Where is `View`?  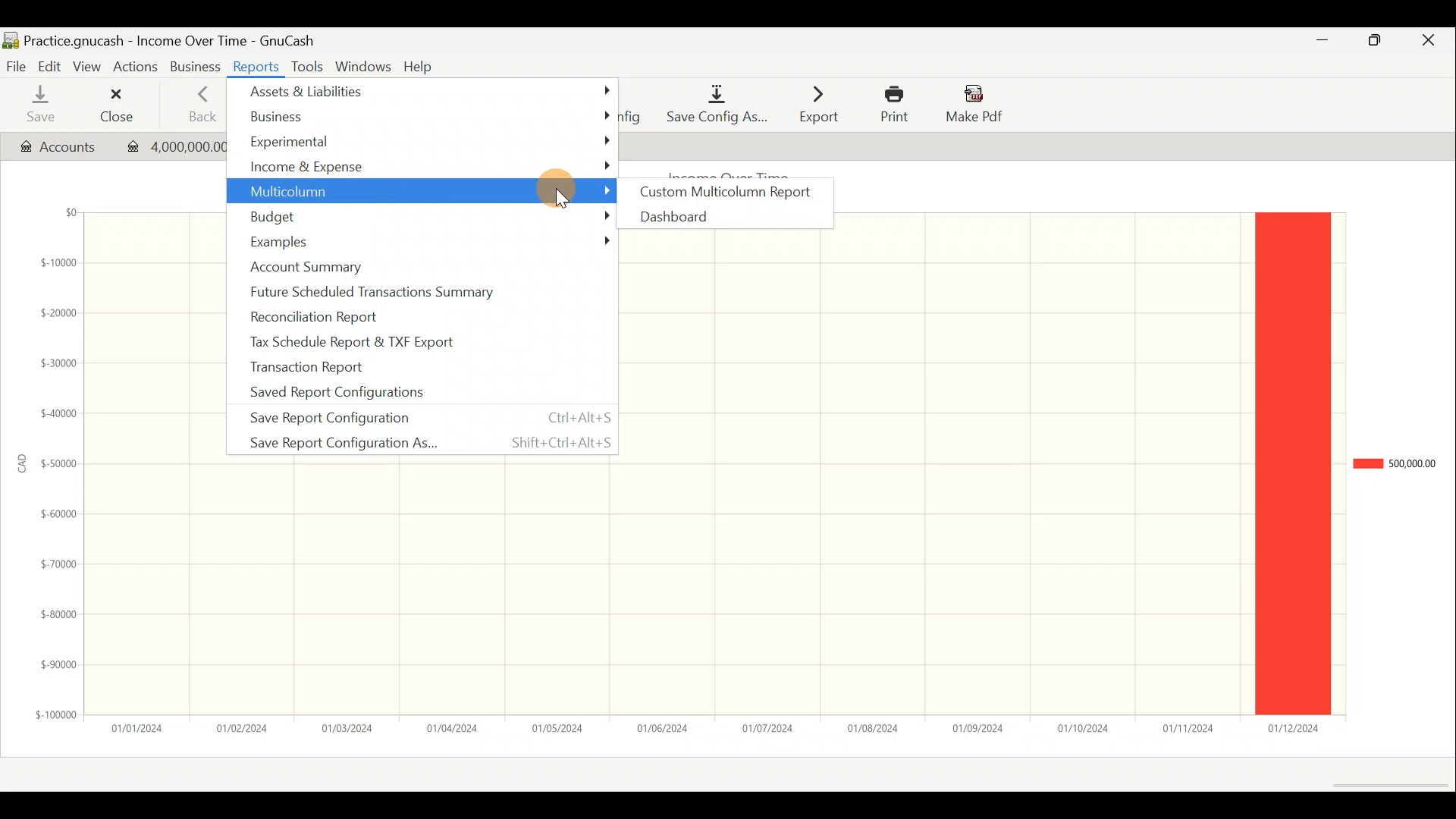
View is located at coordinates (89, 67).